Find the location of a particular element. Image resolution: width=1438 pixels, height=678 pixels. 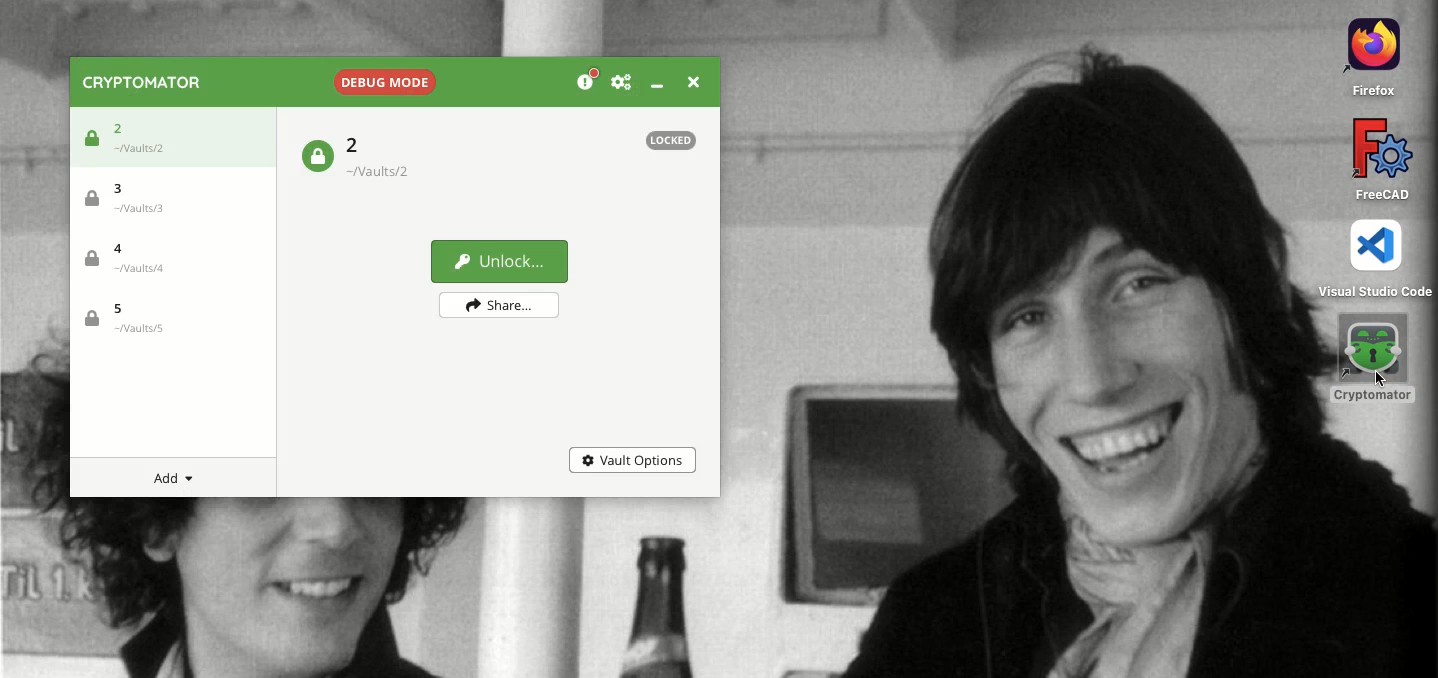

Preferences is located at coordinates (629, 83).